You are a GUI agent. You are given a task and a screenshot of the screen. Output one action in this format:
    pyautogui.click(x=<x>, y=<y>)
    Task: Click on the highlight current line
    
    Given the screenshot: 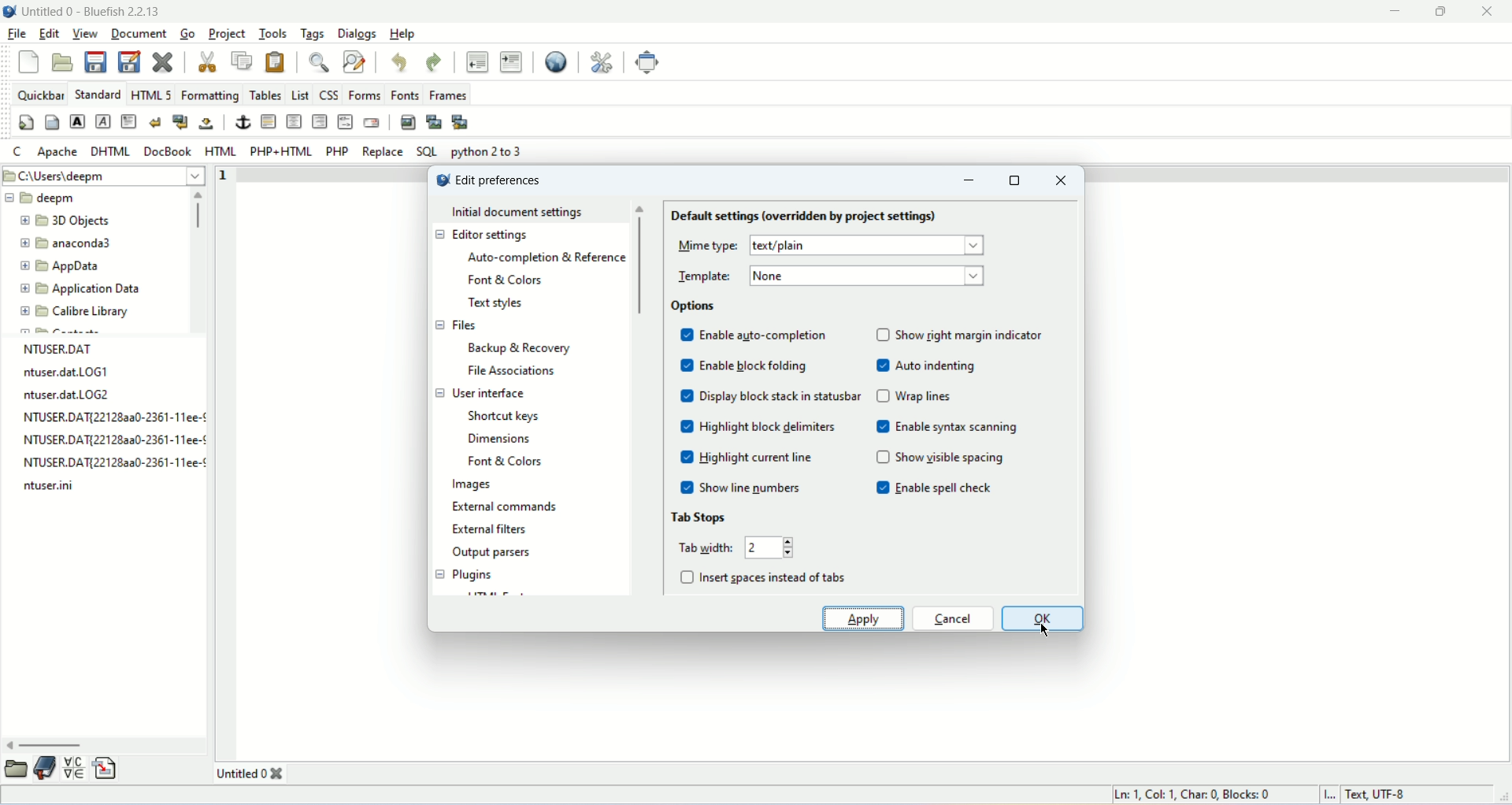 What is the action you would take?
    pyautogui.click(x=755, y=459)
    